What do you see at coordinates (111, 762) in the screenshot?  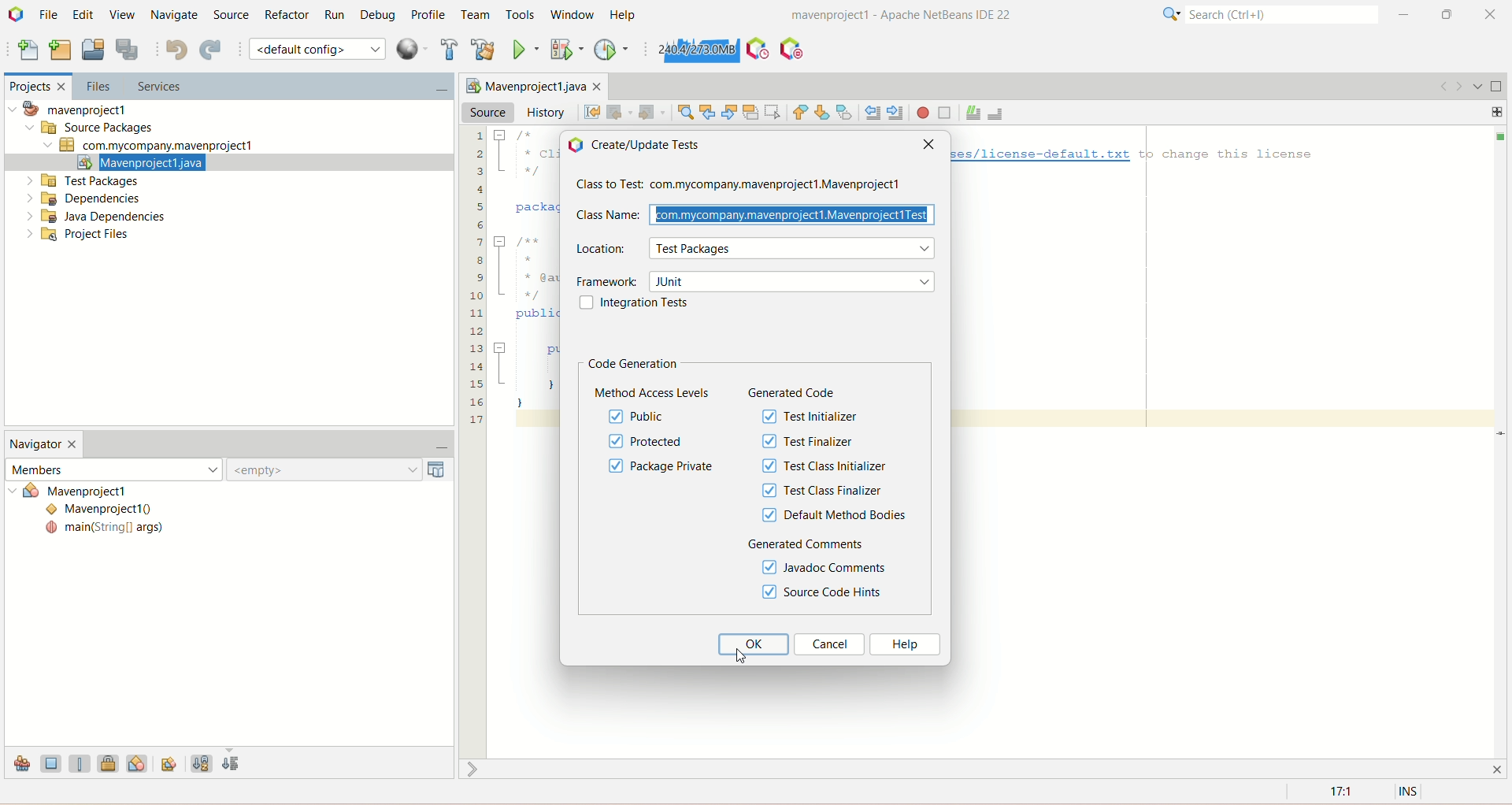 I see `show non-public members` at bounding box center [111, 762].